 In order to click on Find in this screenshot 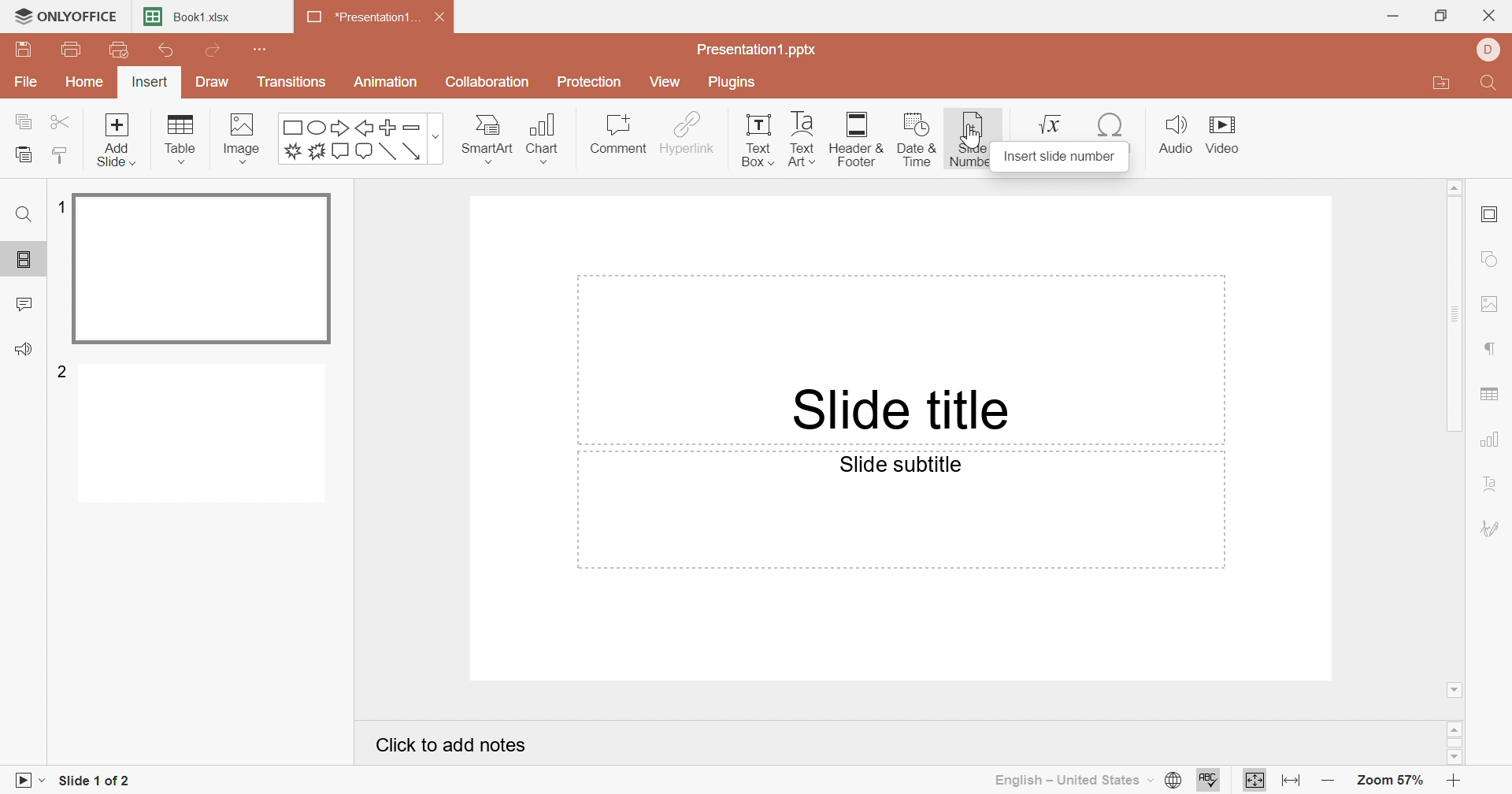, I will do `click(1486, 86)`.